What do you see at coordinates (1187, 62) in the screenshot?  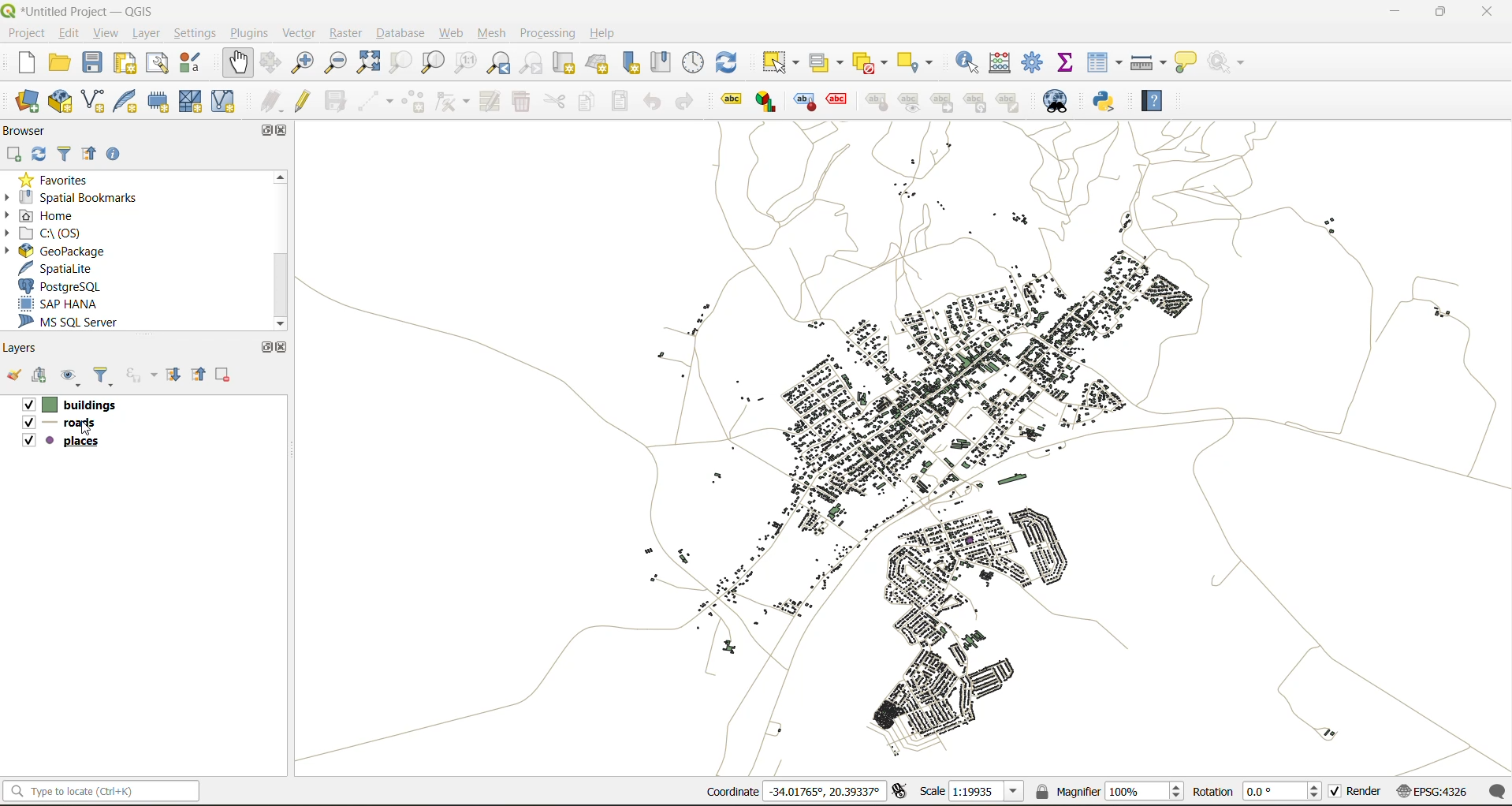 I see `show tips` at bounding box center [1187, 62].